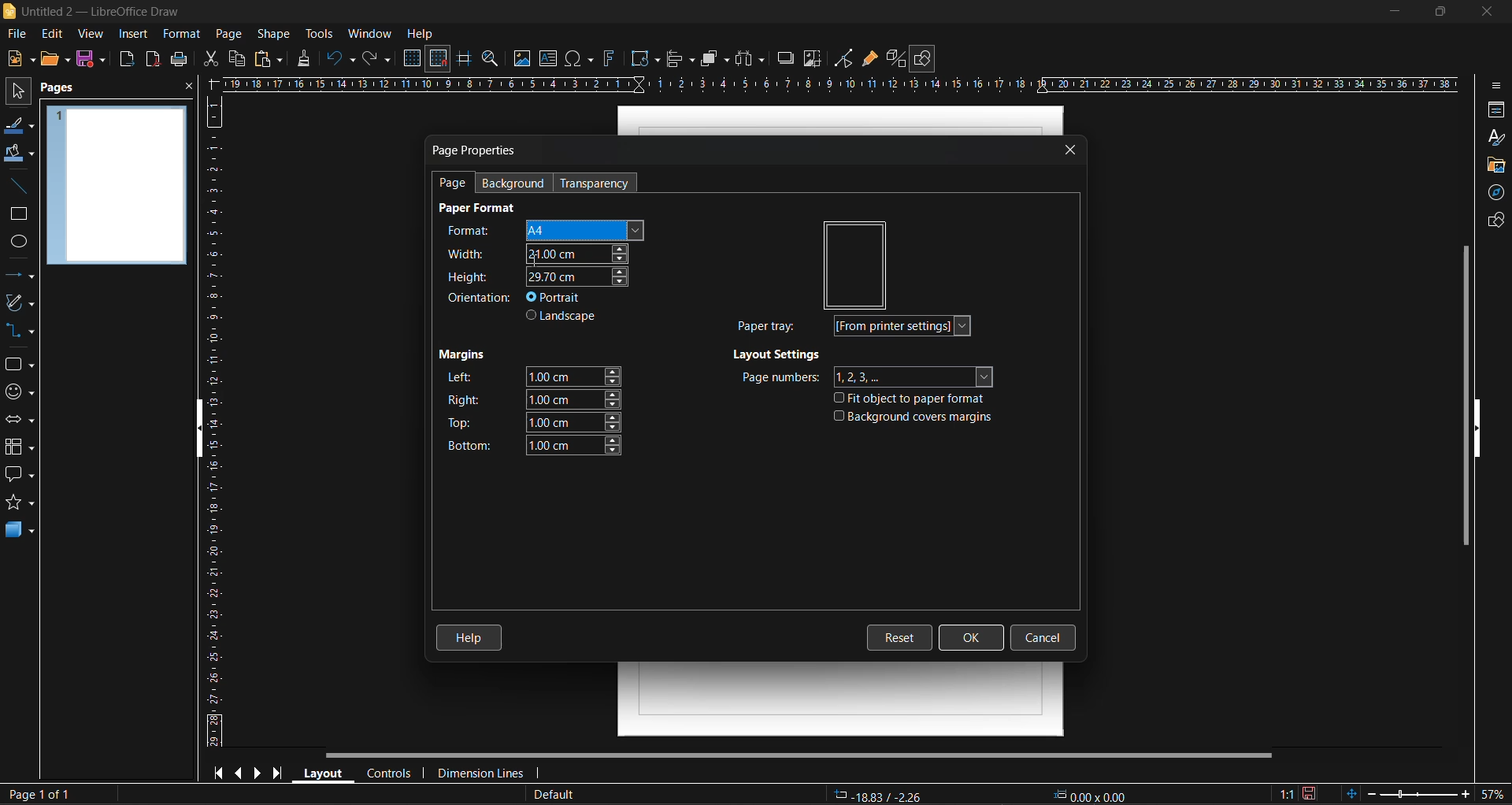  I want to click on format, so click(180, 33).